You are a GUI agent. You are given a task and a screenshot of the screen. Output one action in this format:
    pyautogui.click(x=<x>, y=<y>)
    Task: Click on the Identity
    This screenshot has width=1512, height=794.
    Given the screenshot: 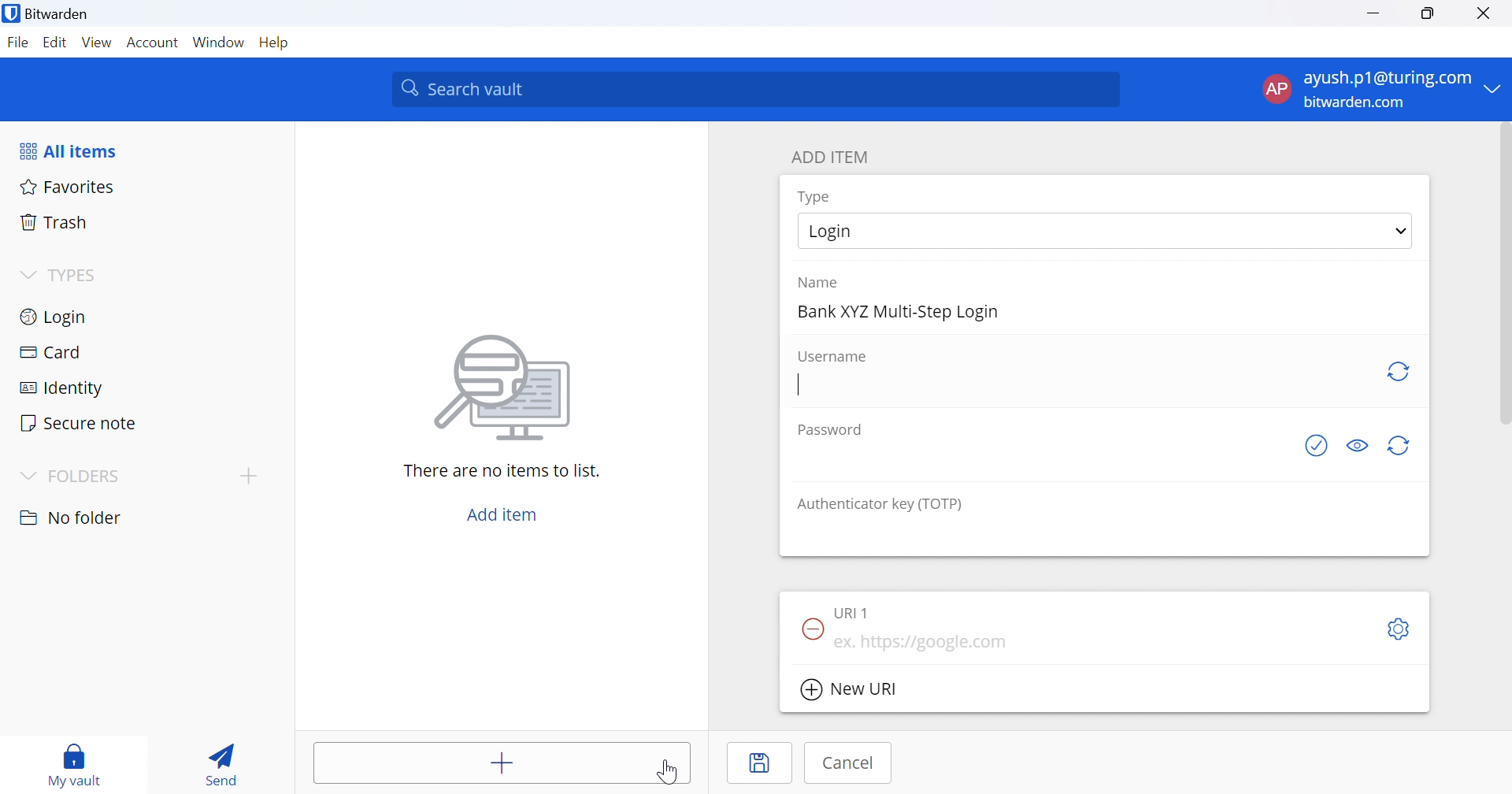 What is the action you would take?
    pyautogui.click(x=62, y=388)
    